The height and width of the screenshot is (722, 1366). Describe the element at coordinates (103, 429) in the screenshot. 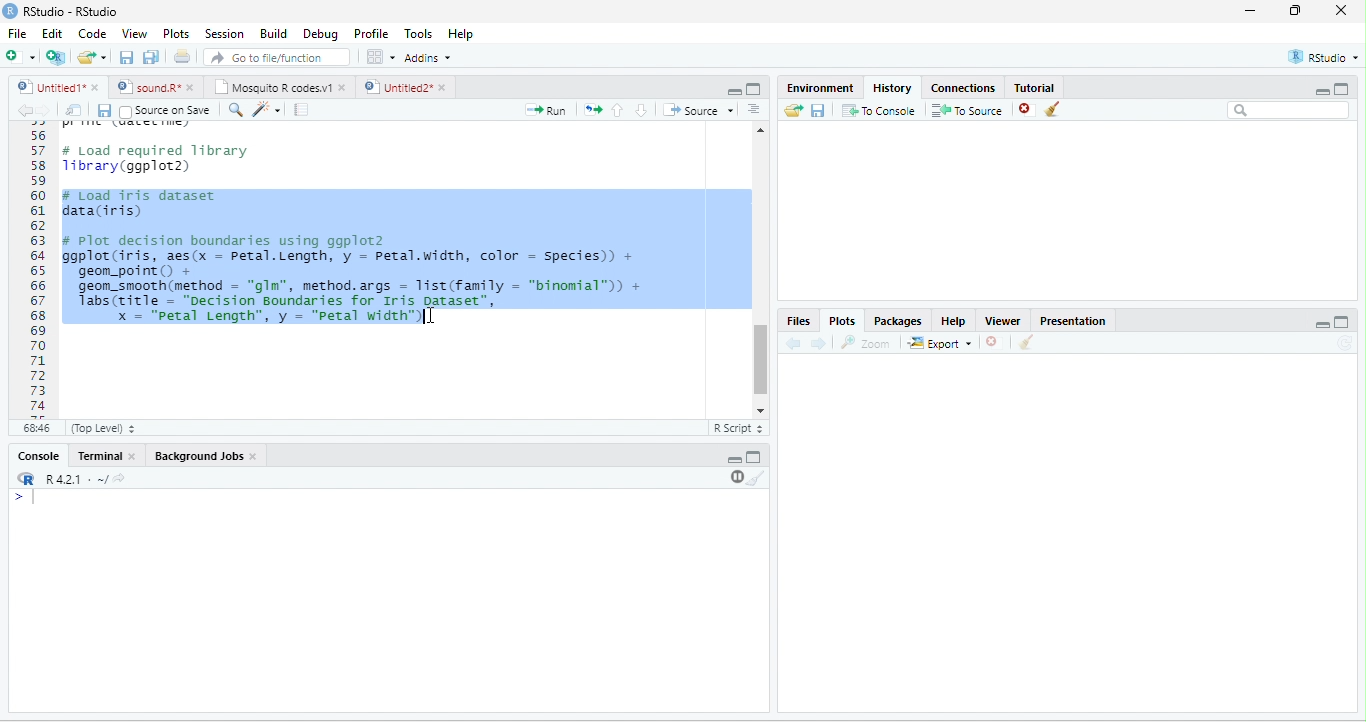

I see `Top Level` at that location.